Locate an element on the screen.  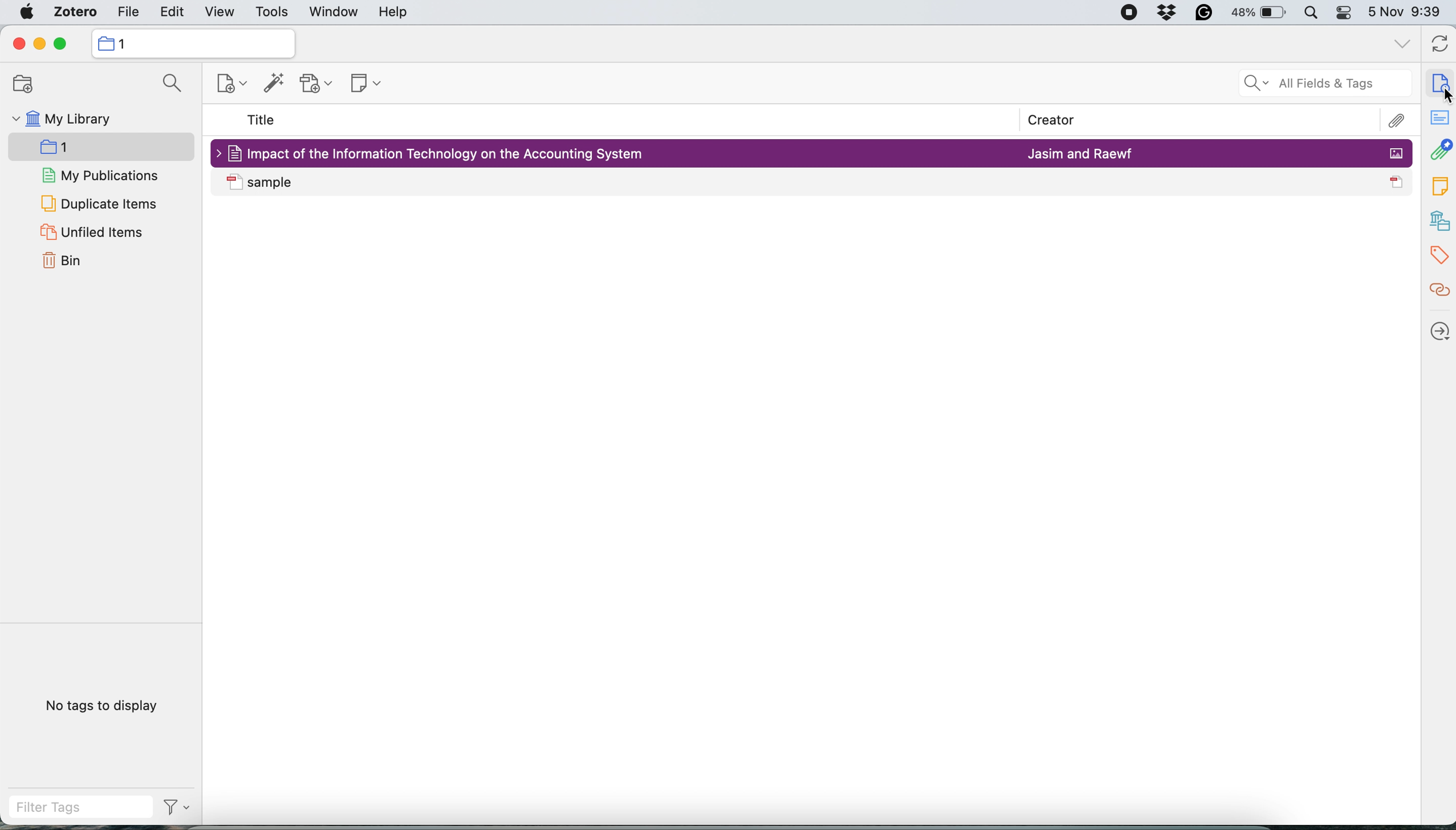
tools is located at coordinates (271, 13).